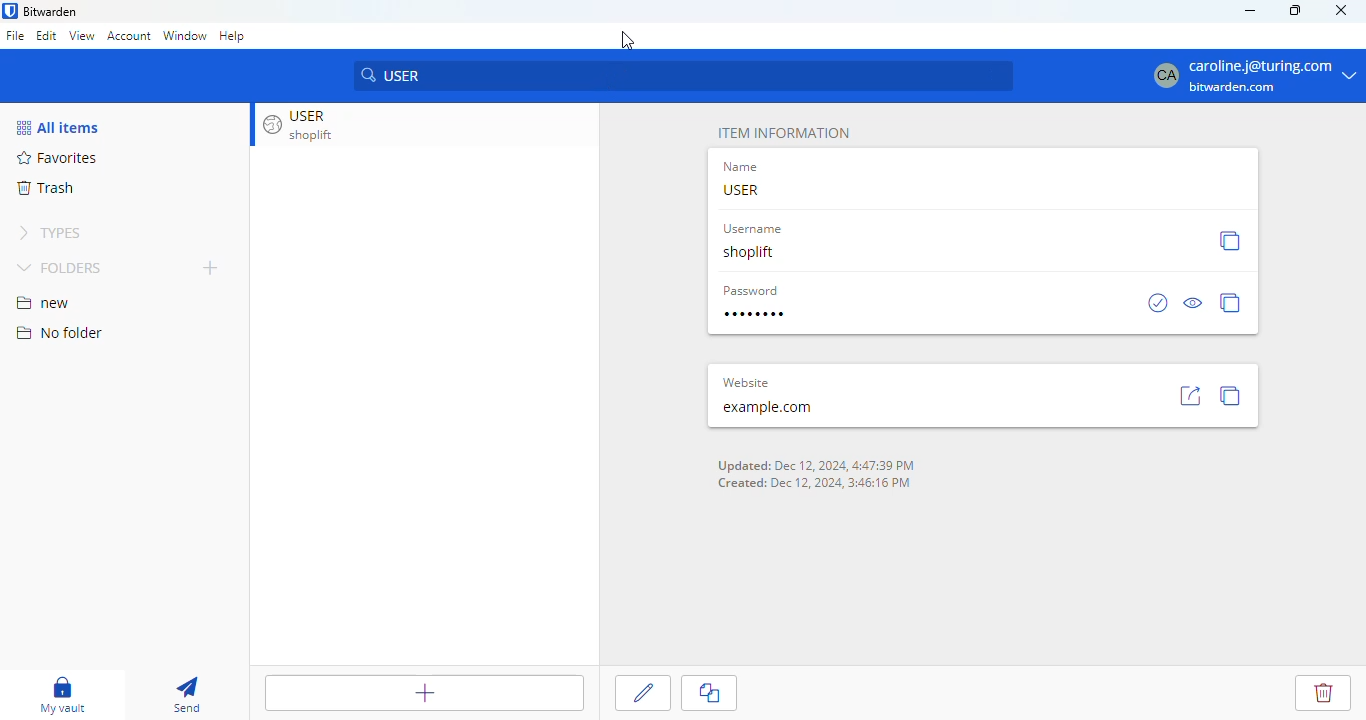  I want to click on view, so click(82, 35).